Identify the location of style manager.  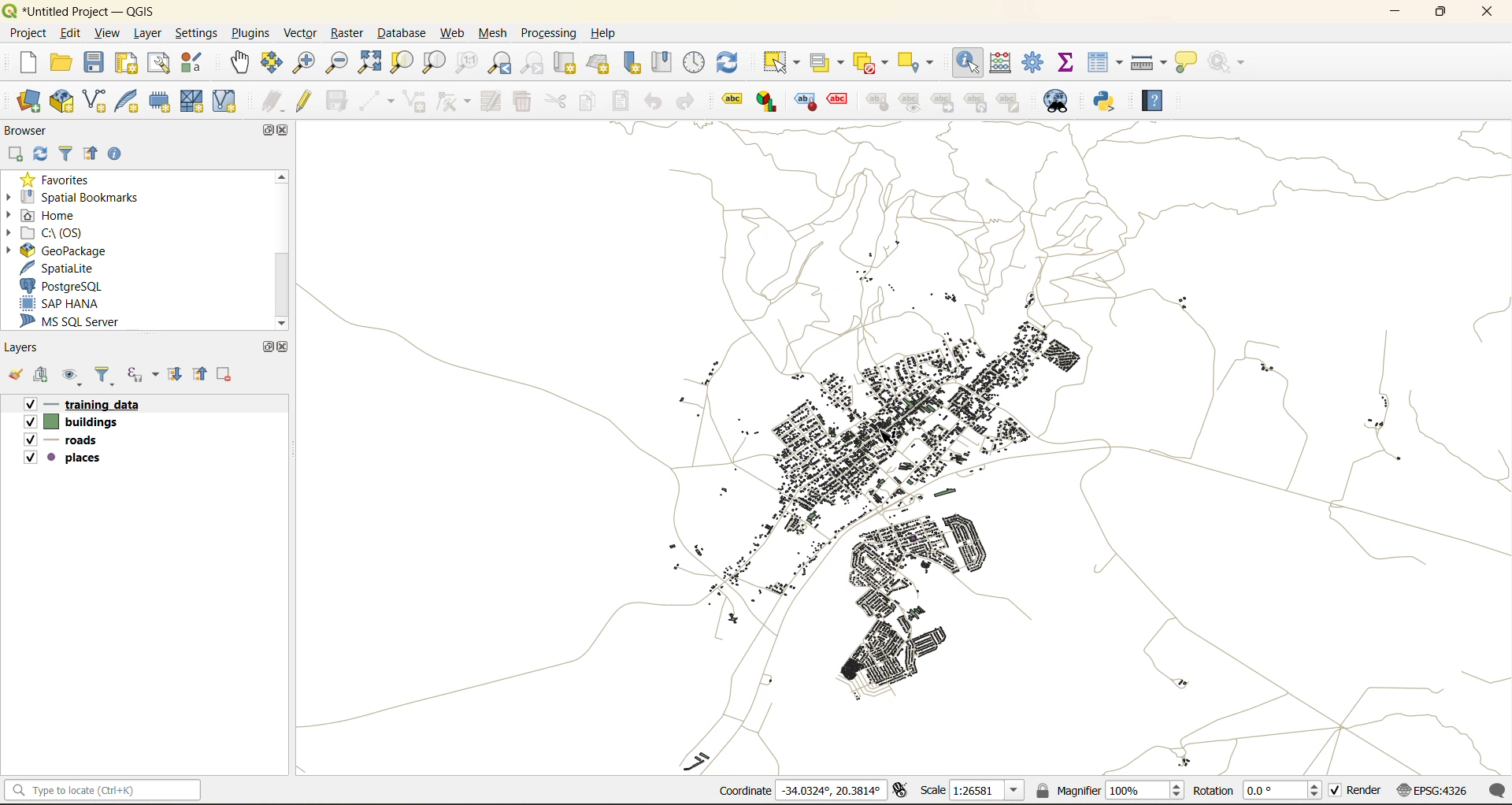
(194, 63).